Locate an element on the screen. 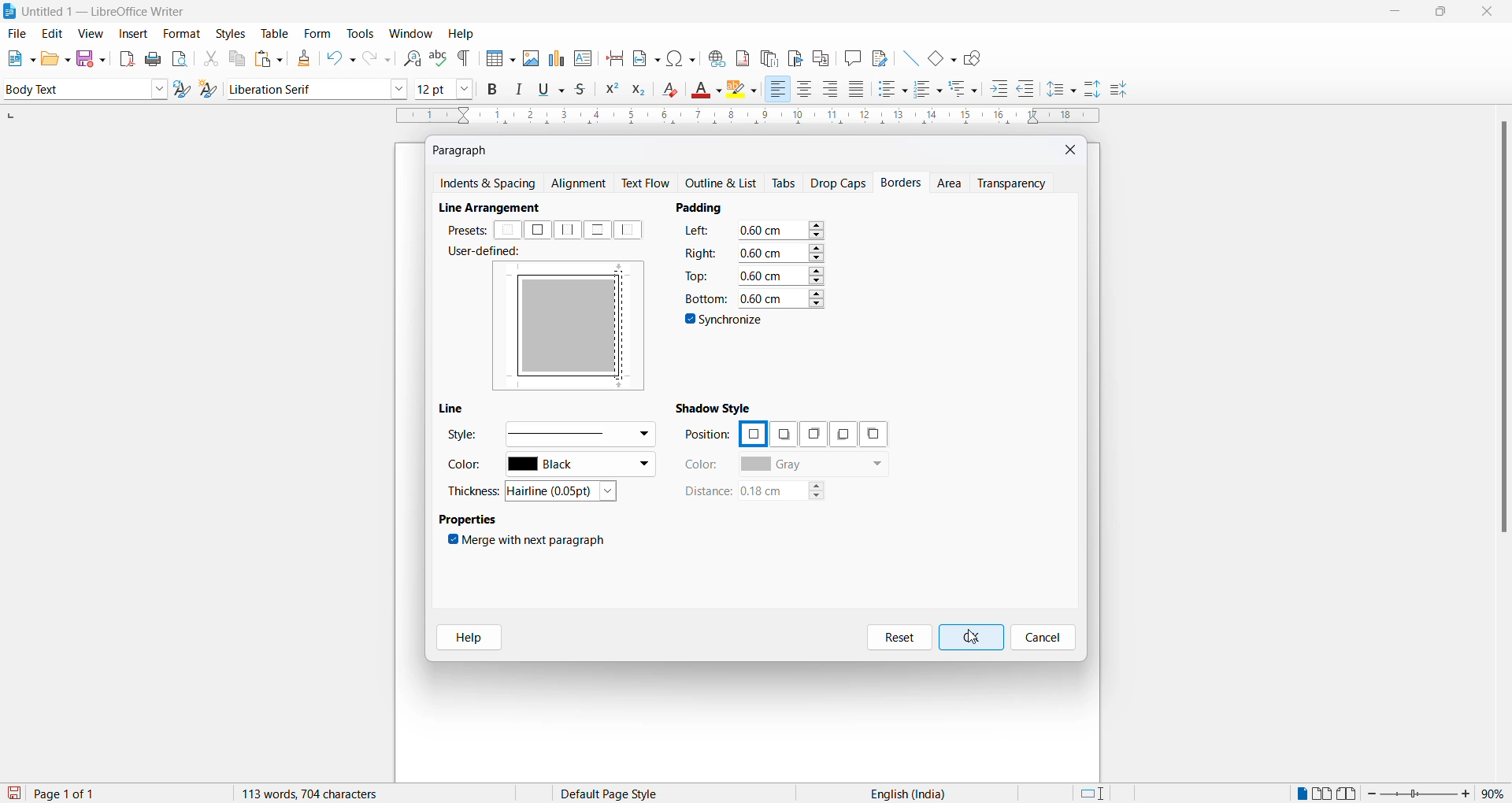 This screenshot has width=1512, height=803. position options is located at coordinates (839, 435).